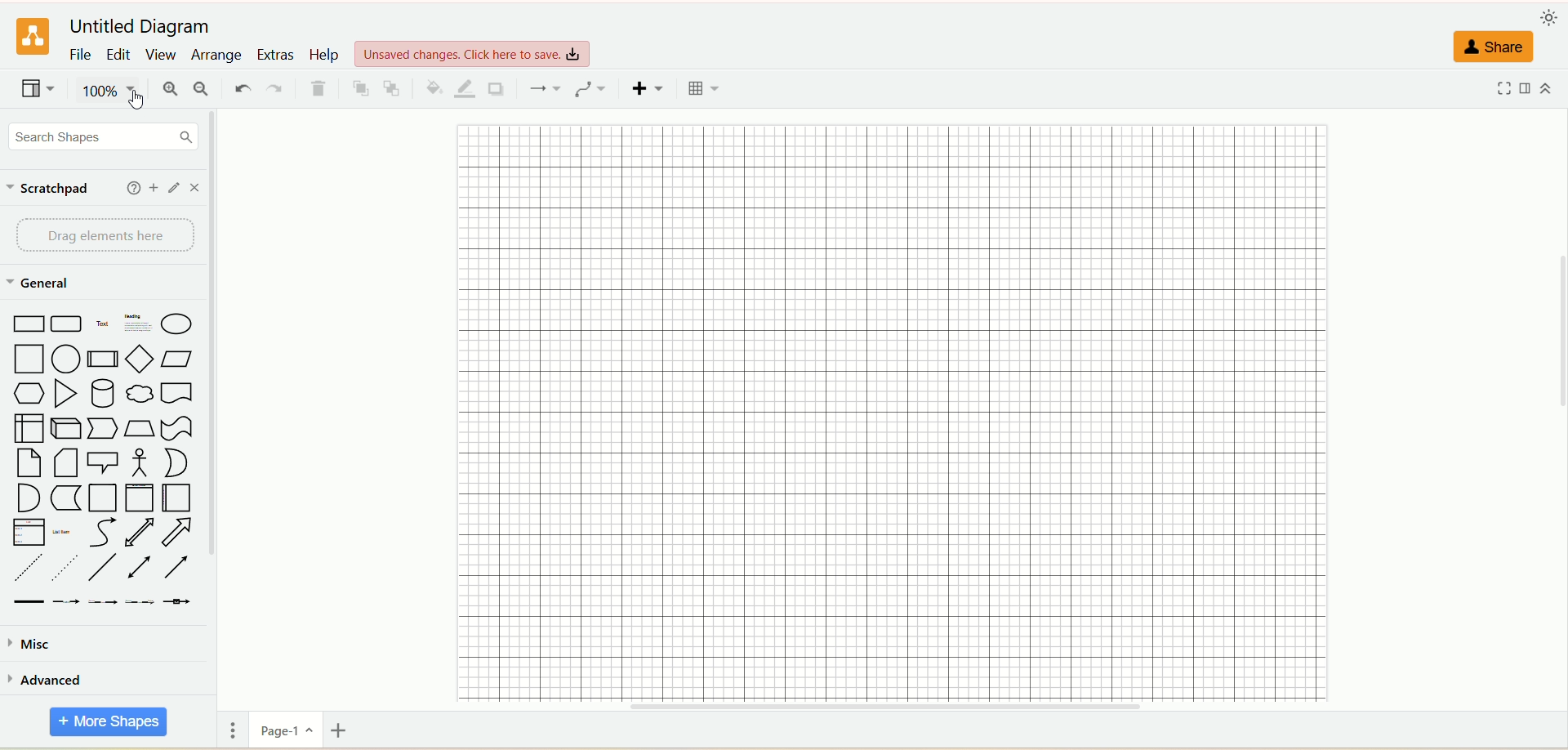  What do you see at coordinates (341, 730) in the screenshot?
I see `insert pages` at bounding box center [341, 730].